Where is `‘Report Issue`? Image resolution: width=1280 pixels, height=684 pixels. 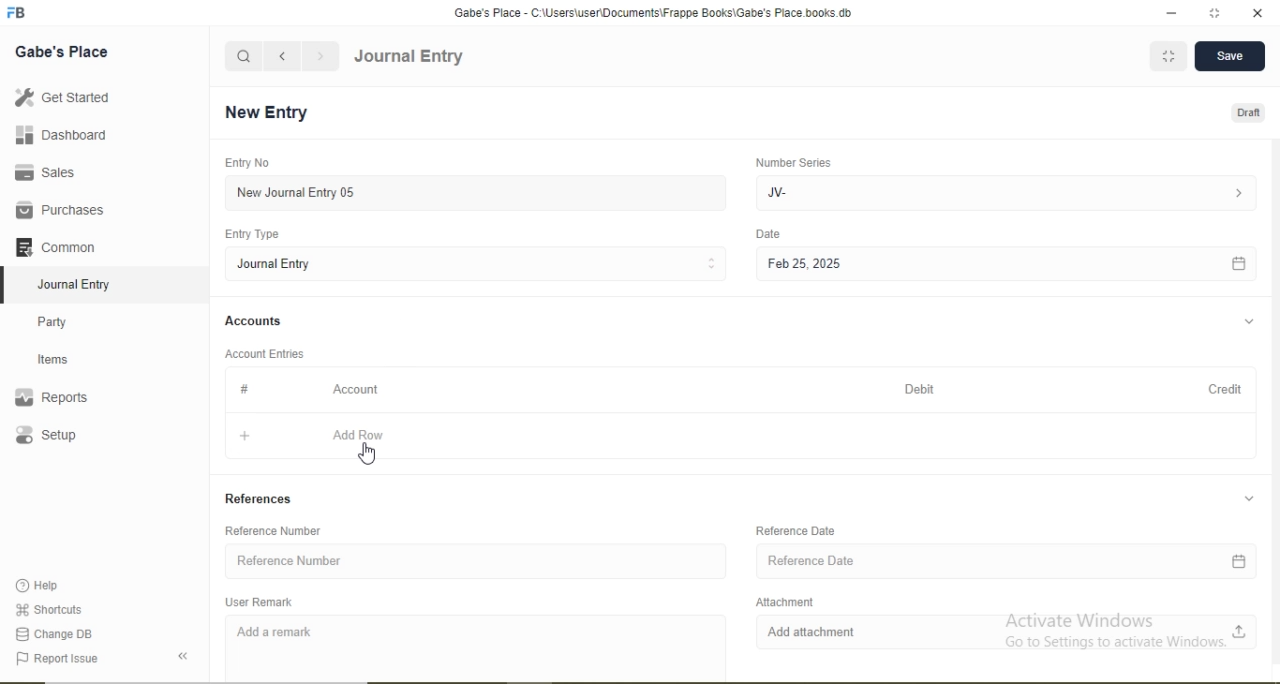
‘Report Issue is located at coordinates (78, 659).